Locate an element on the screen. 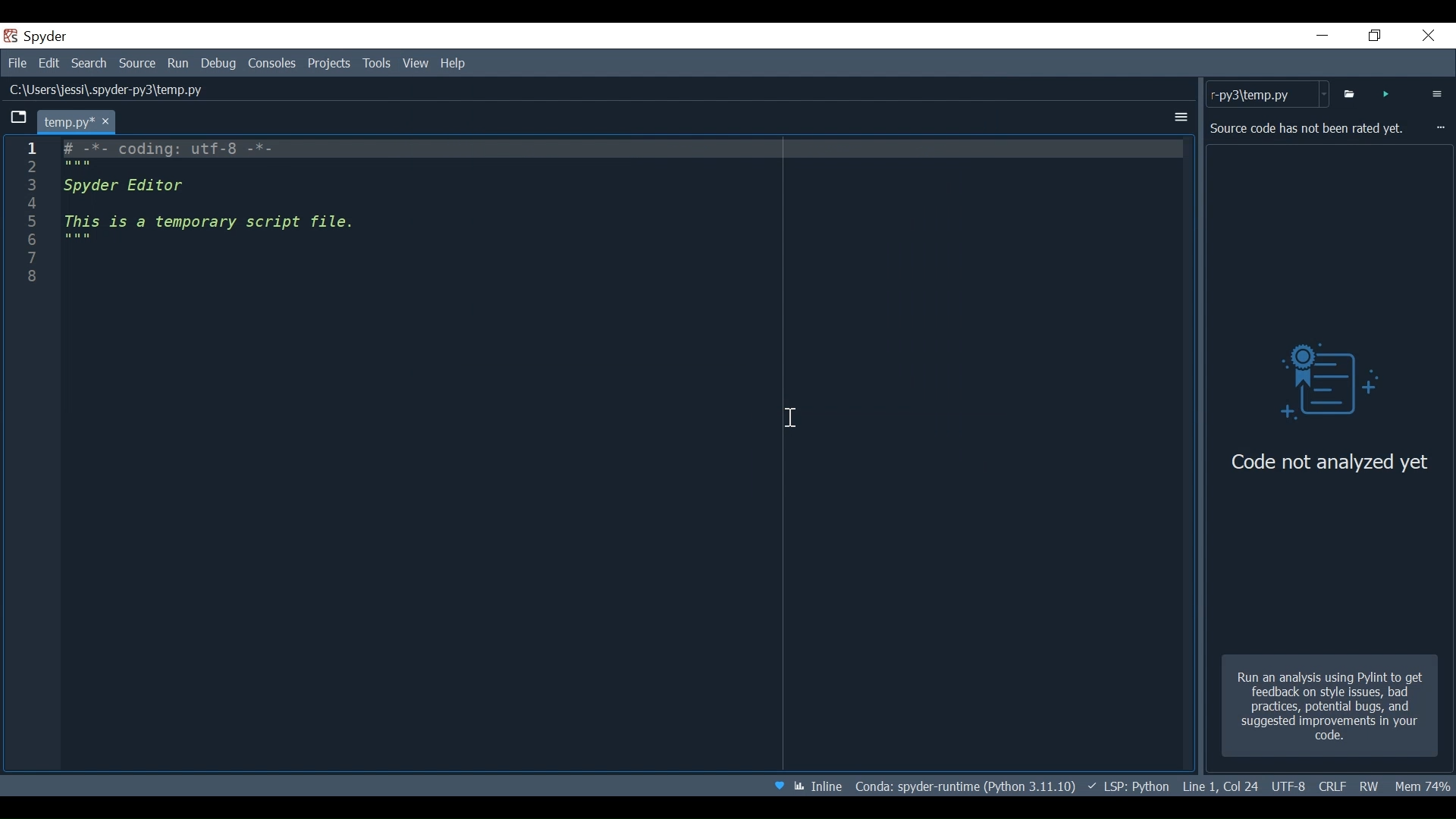 The height and width of the screenshot is (819, 1456). py3(temp.py is located at coordinates (1268, 93).